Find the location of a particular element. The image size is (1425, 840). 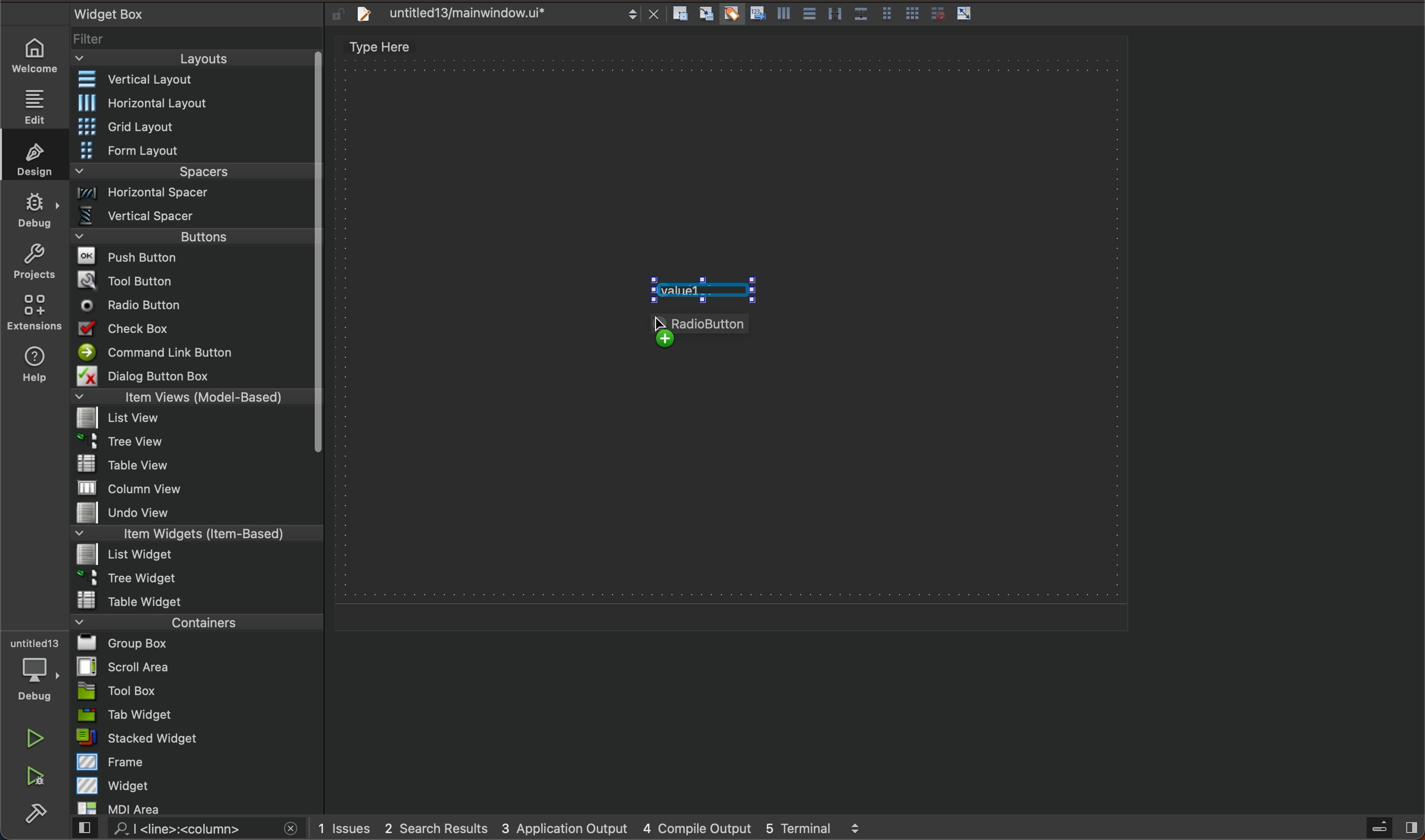

 is located at coordinates (194, 128).